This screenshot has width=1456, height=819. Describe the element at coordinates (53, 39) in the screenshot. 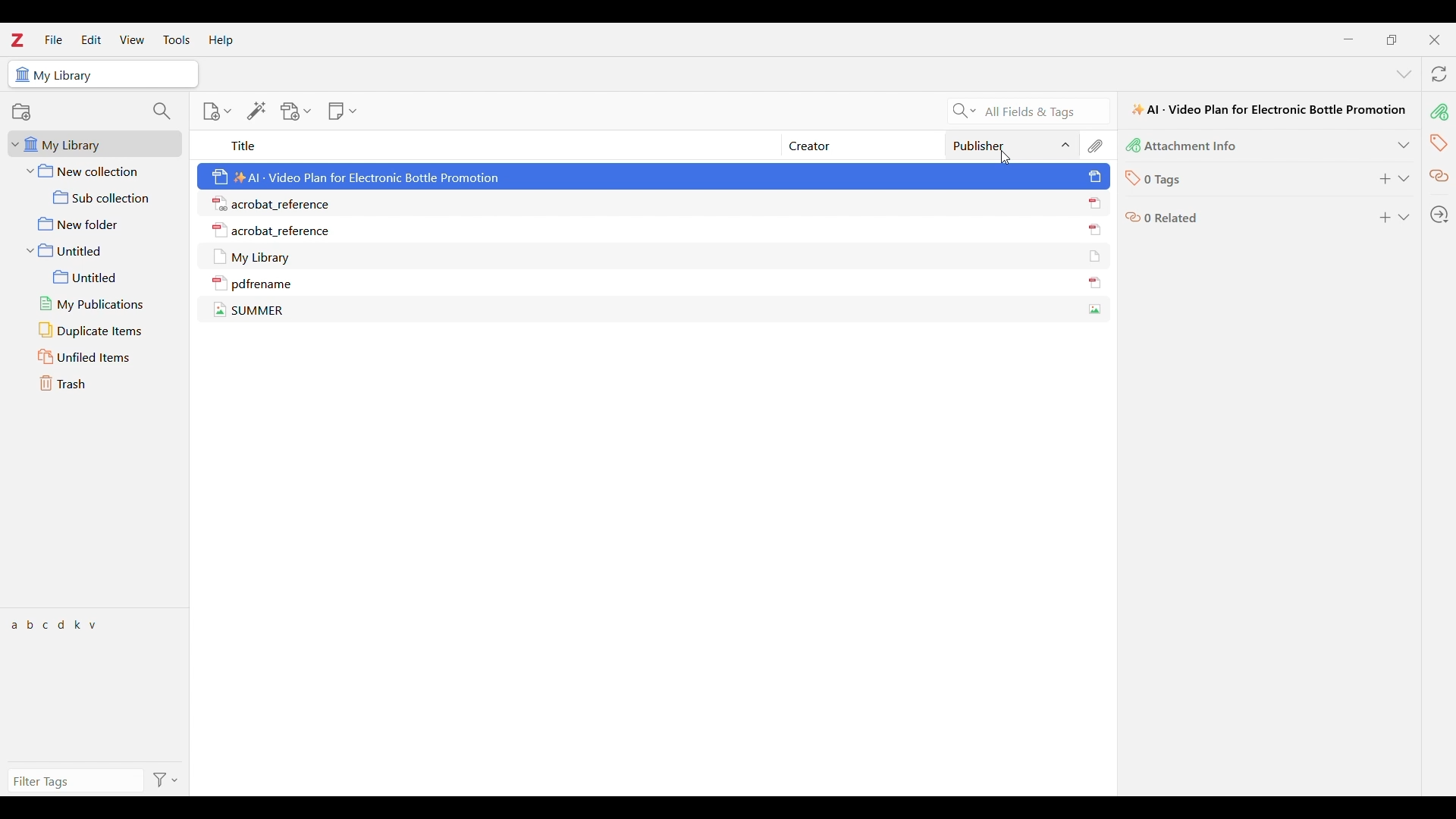

I see `File menu` at that location.